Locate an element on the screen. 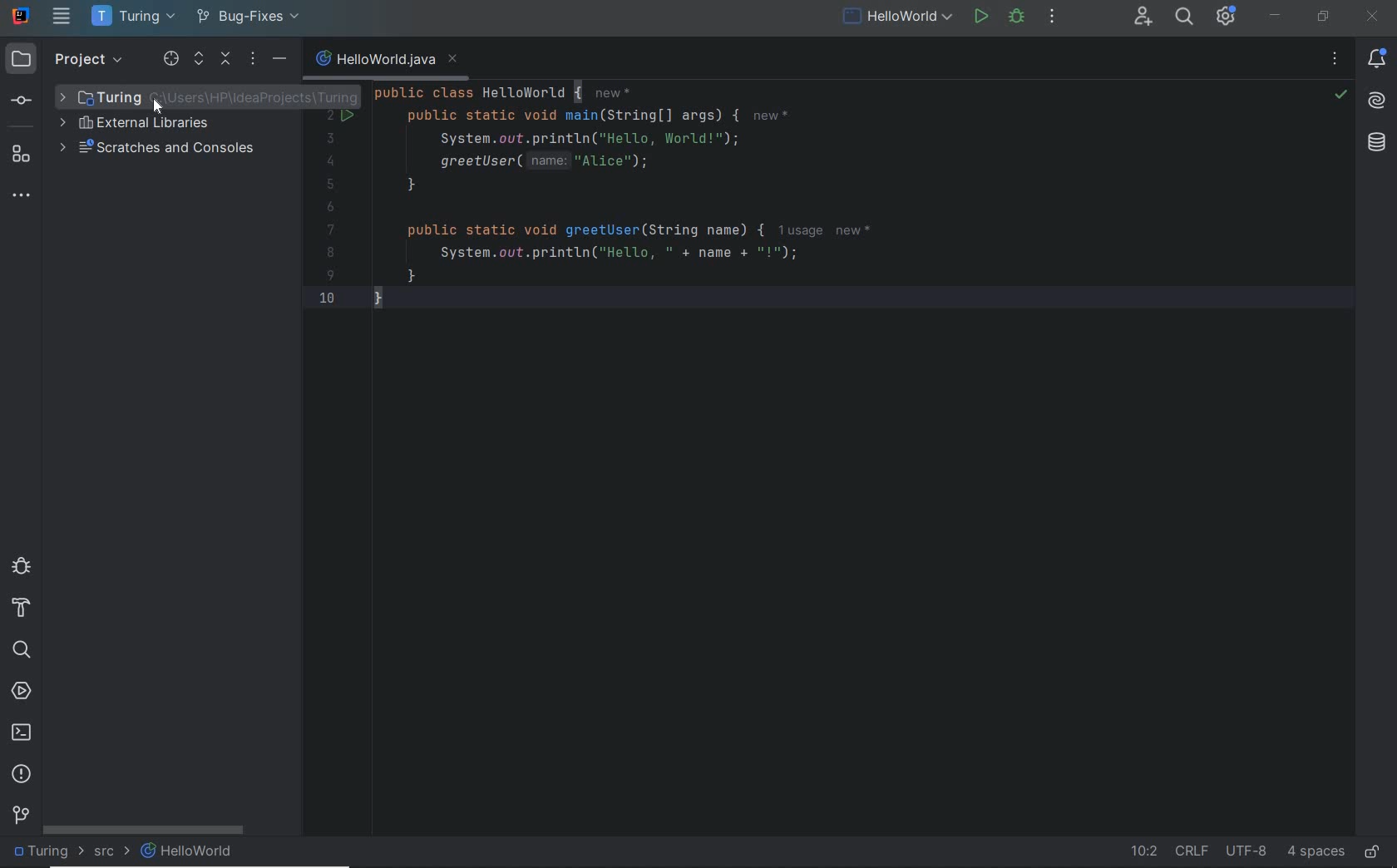 The width and height of the screenshot is (1397, 868). services is located at coordinates (22, 693).